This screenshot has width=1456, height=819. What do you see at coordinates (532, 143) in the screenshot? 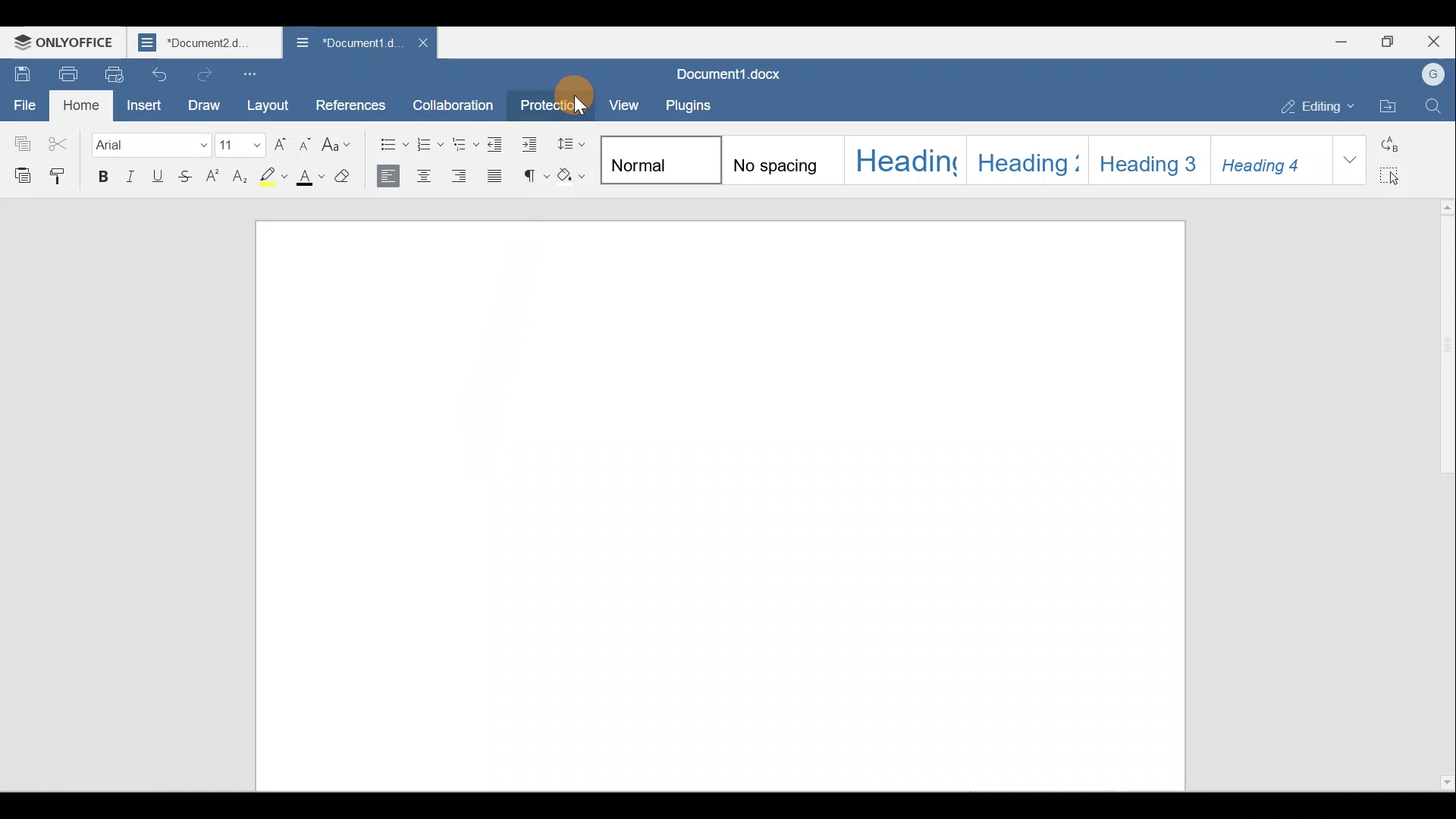
I see `Increase indent` at bounding box center [532, 143].